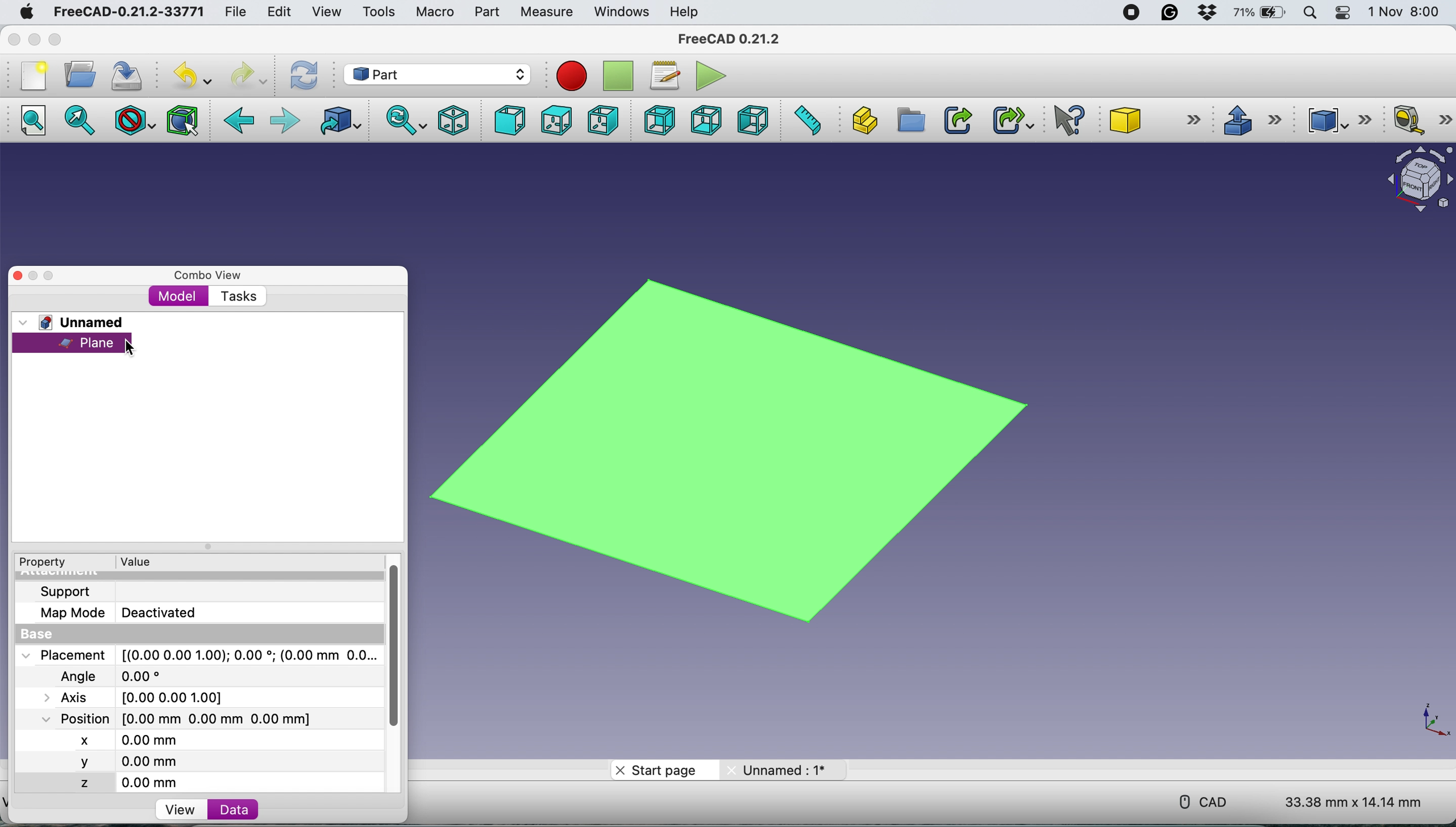  Describe the element at coordinates (305, 76) in the screenshot. I see `refresh` at that location.